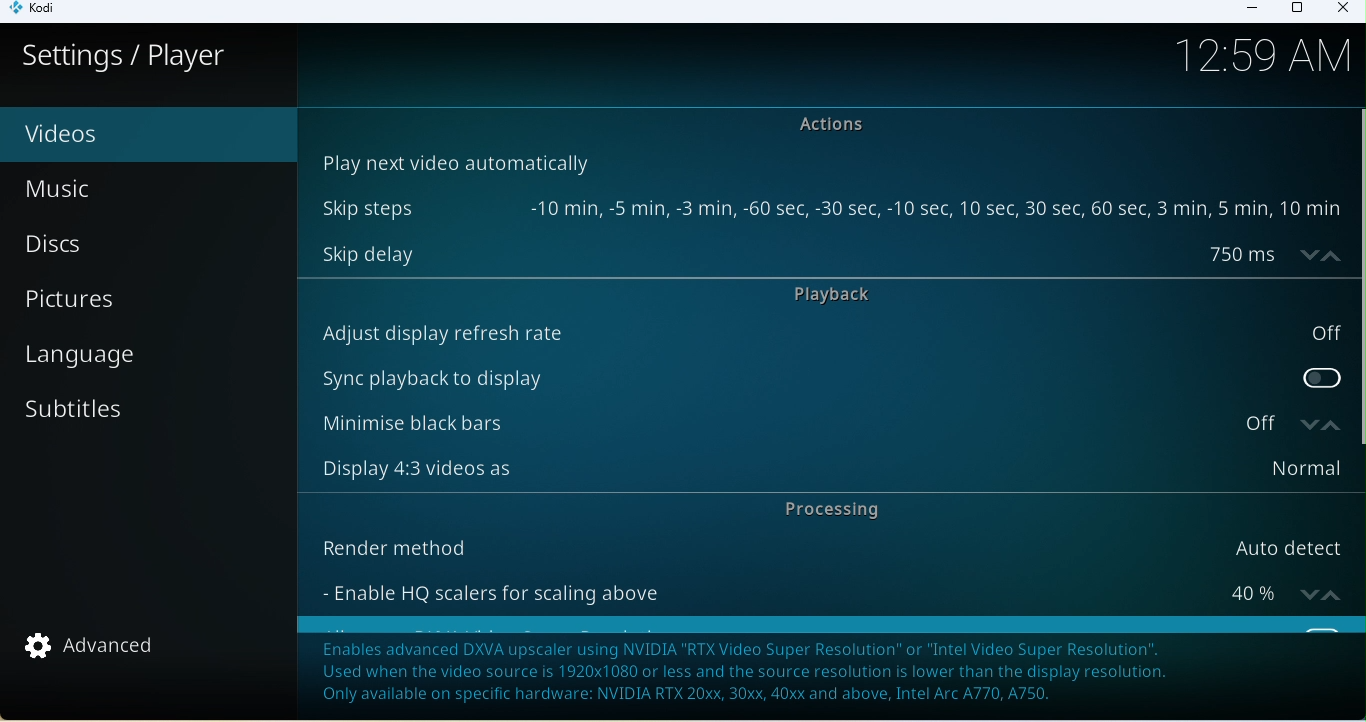 This screenshot has width=1366, height=722. Describe the element at coordinates (124, 248) in the screenshot. I see `Discs` at that location.